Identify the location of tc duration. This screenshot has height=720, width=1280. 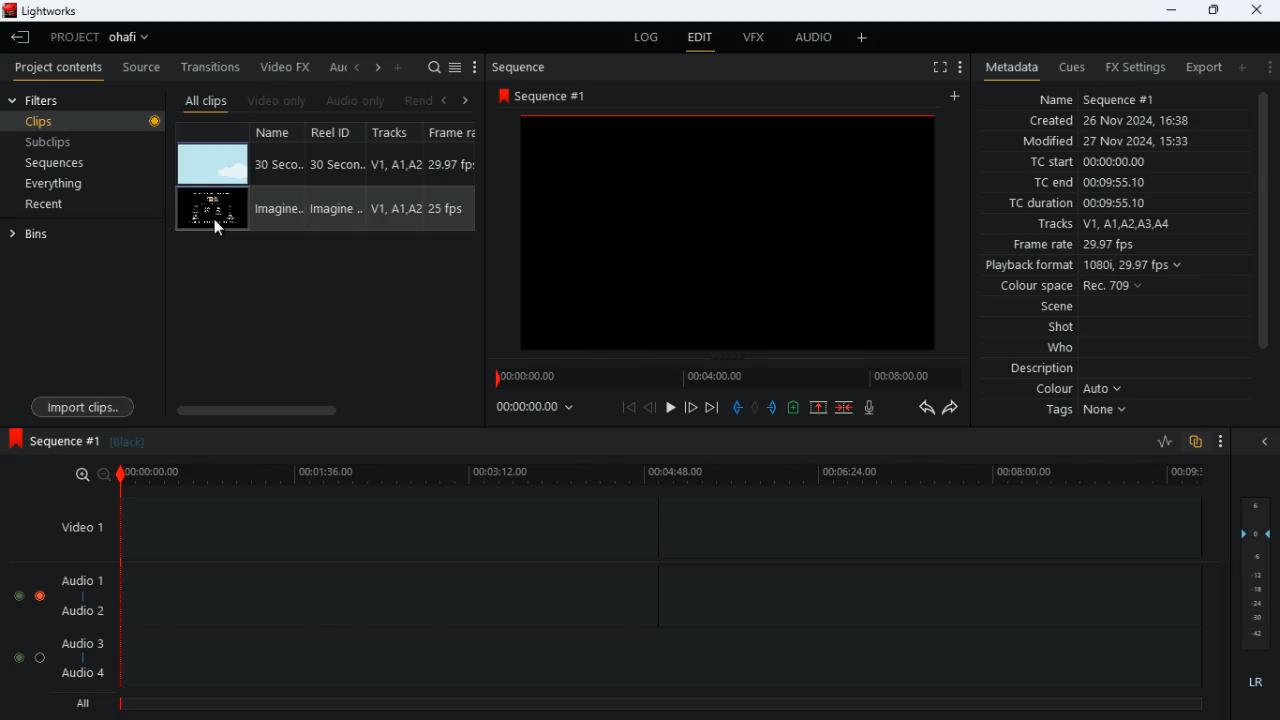
(1110, 205).